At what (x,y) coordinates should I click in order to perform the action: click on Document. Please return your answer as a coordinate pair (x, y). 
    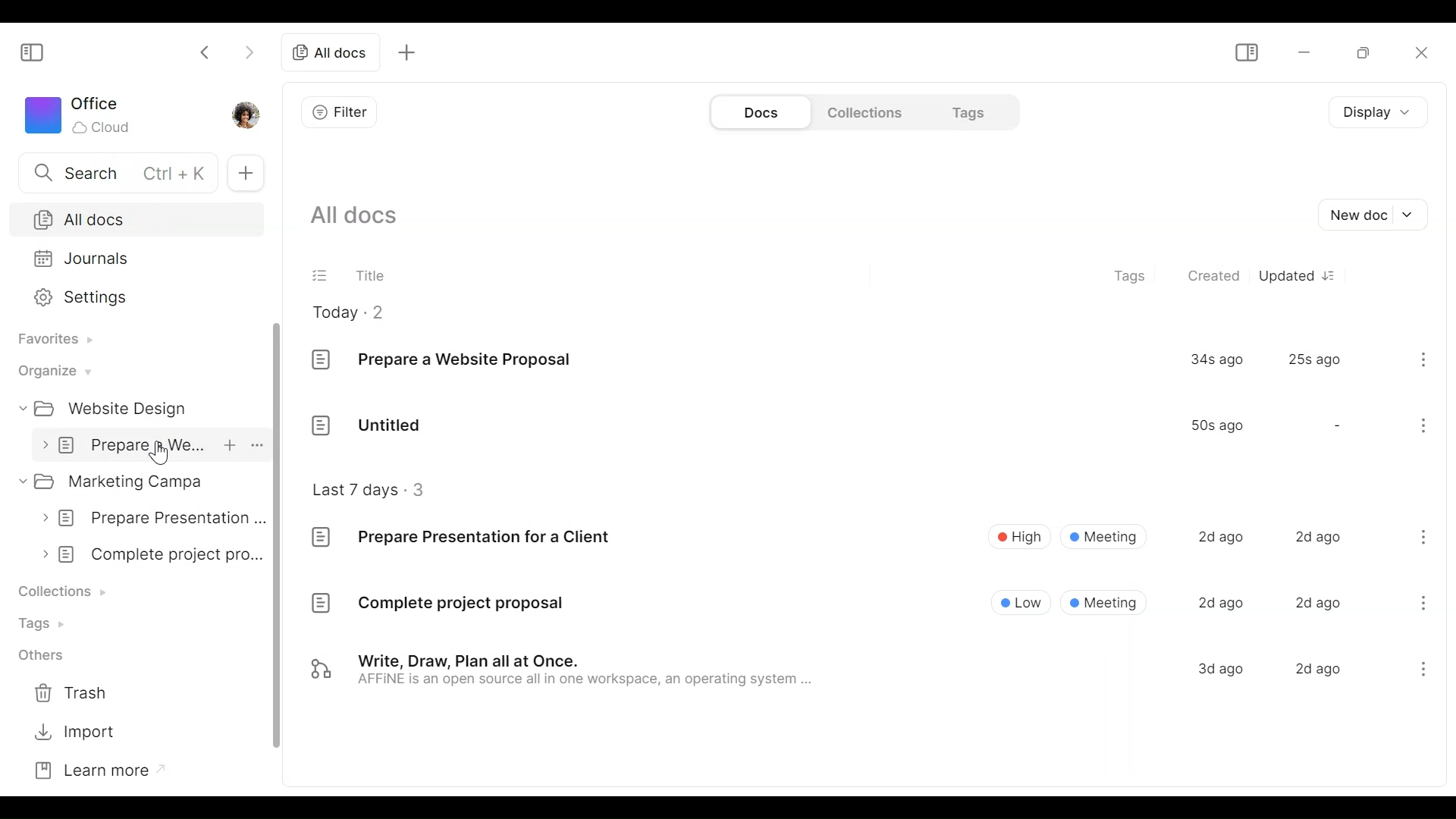
    Looking at the image, I should click on (869, 603).